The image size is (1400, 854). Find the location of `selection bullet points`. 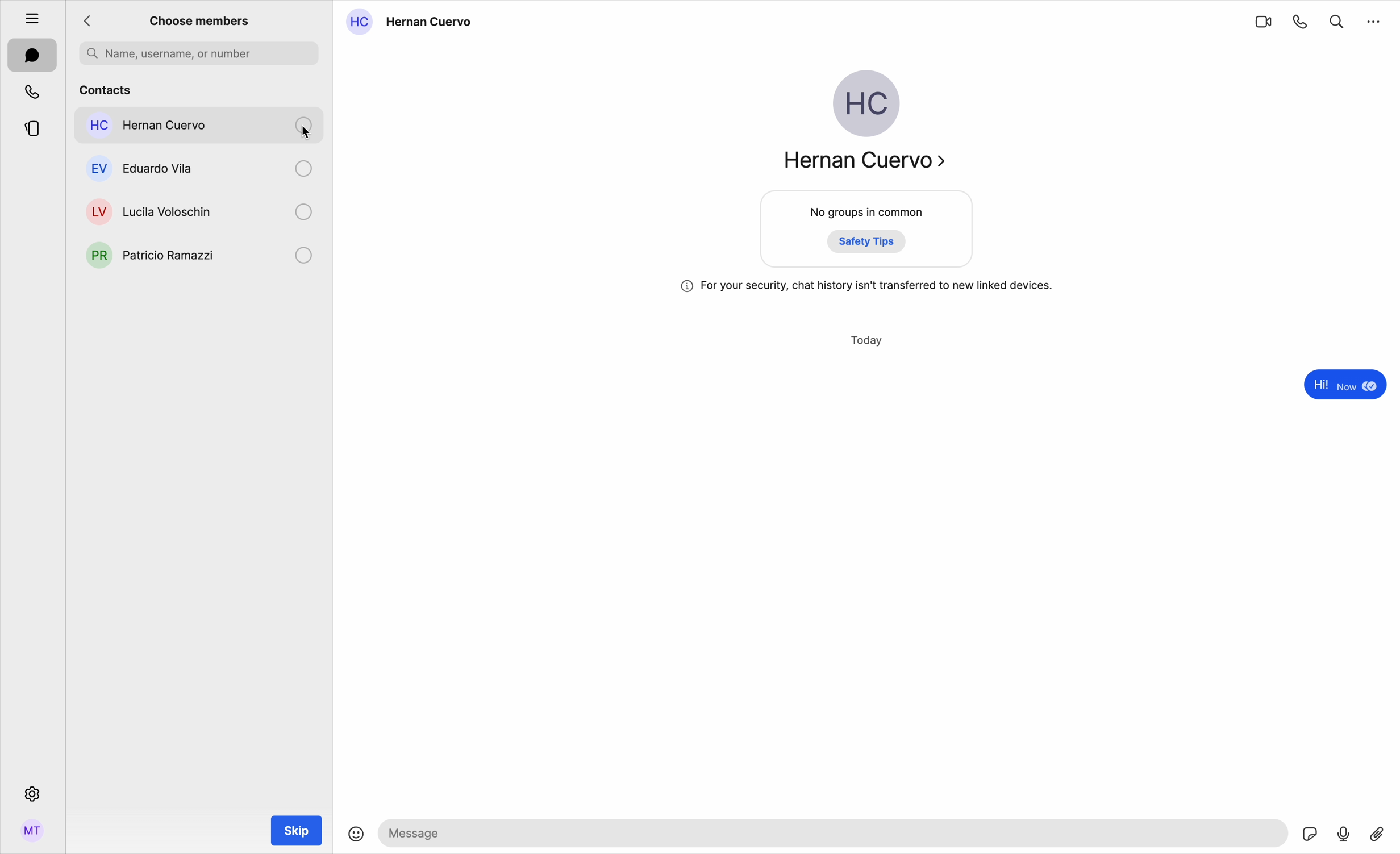

selection bullet points is located at coordinates (305, 210).